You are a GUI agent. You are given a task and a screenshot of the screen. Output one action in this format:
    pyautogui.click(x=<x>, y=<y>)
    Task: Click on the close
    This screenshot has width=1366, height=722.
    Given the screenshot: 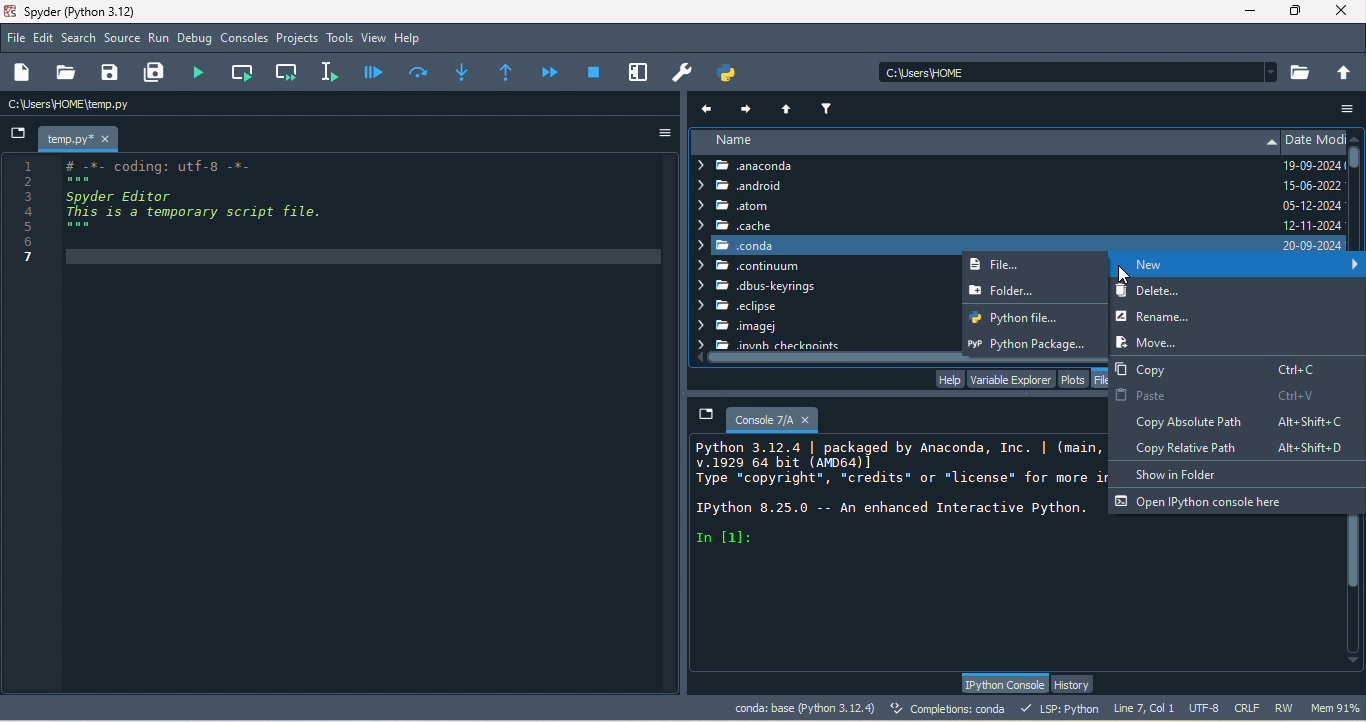 What is the action you would take?
    pyautogui.click(x=1346, y=12)
    